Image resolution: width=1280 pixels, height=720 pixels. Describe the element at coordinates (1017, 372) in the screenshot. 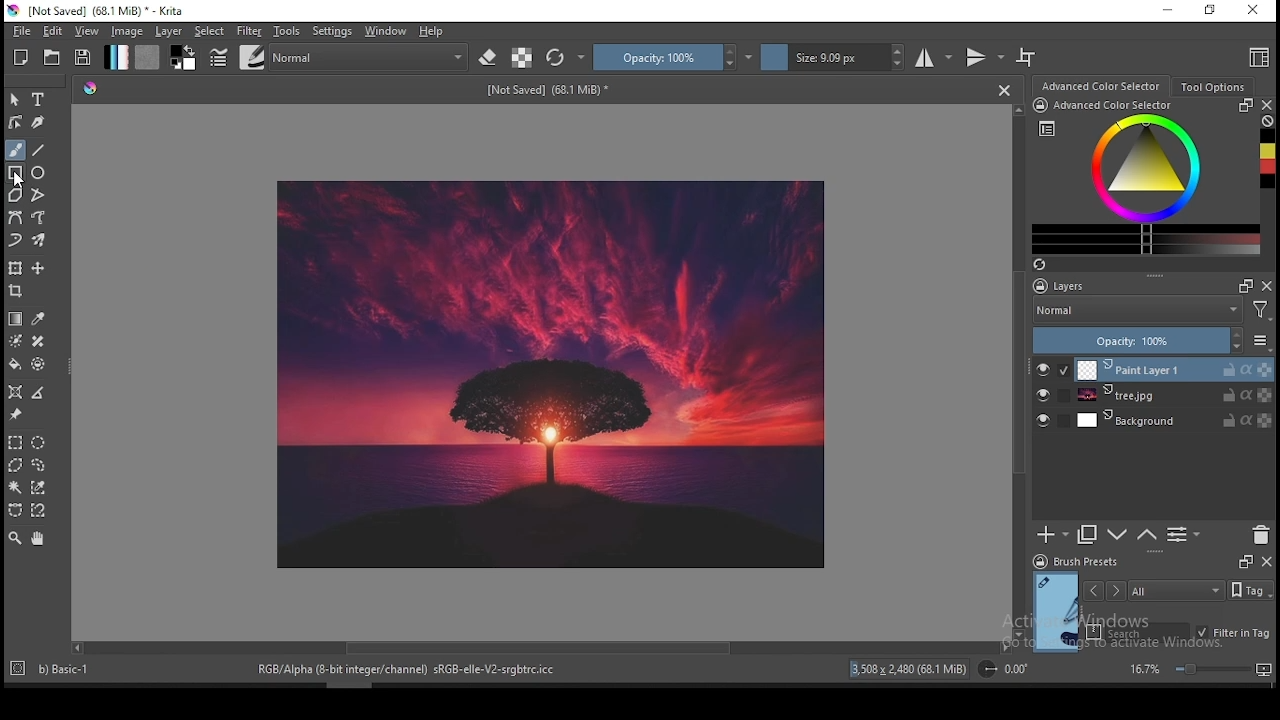

I see `Scroll Bar` at that location.